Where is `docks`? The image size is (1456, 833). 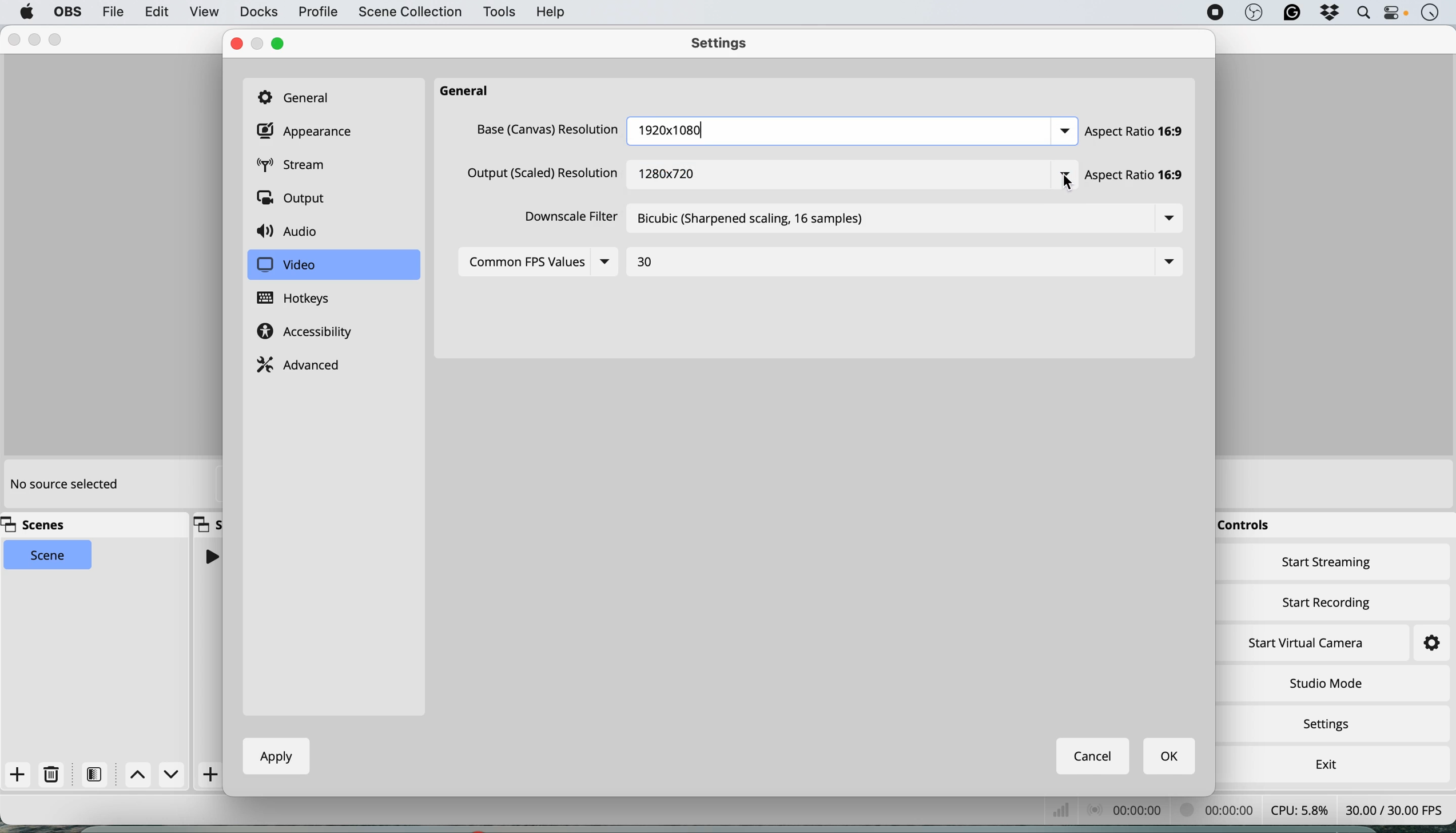 docks is located at coordinates (258, 12).